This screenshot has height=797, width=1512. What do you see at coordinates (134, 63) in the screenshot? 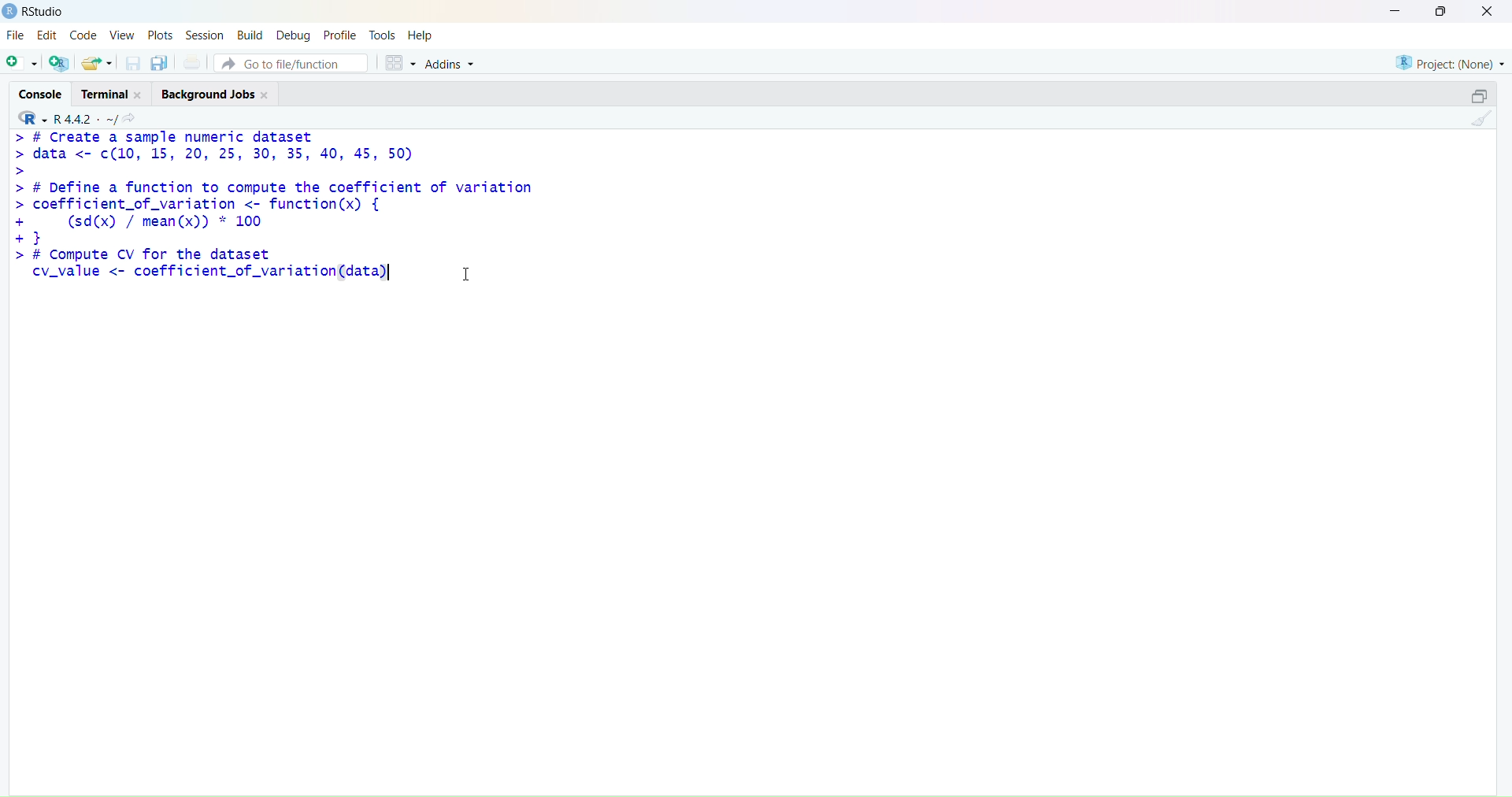
I see `save` at bounding box center [134, 63].